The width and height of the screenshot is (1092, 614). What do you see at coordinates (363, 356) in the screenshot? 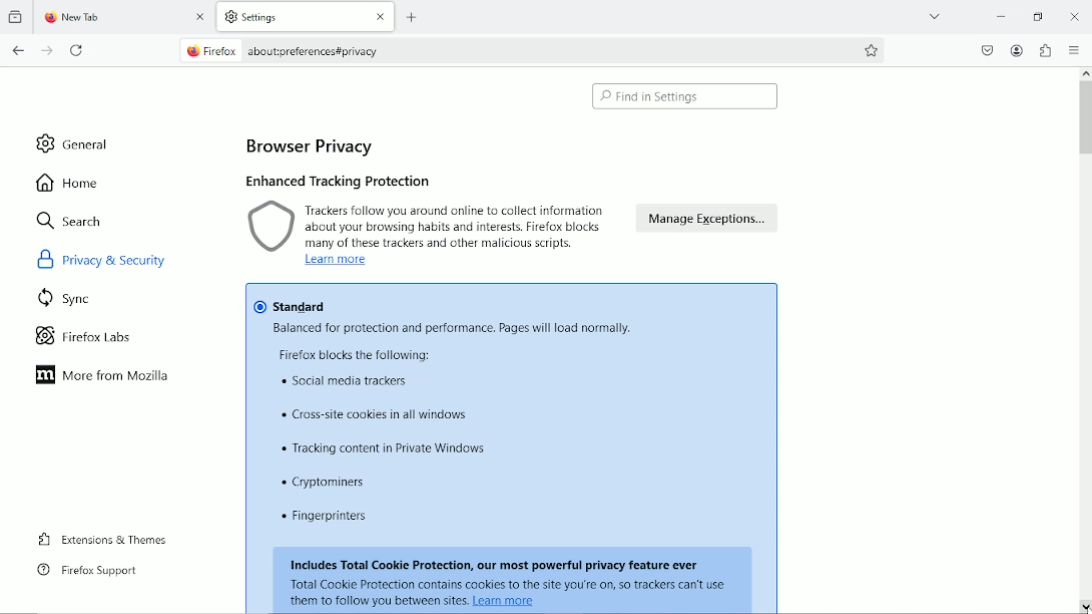
I see `Firefox blocks the following:` at bounding box center [363, 356].